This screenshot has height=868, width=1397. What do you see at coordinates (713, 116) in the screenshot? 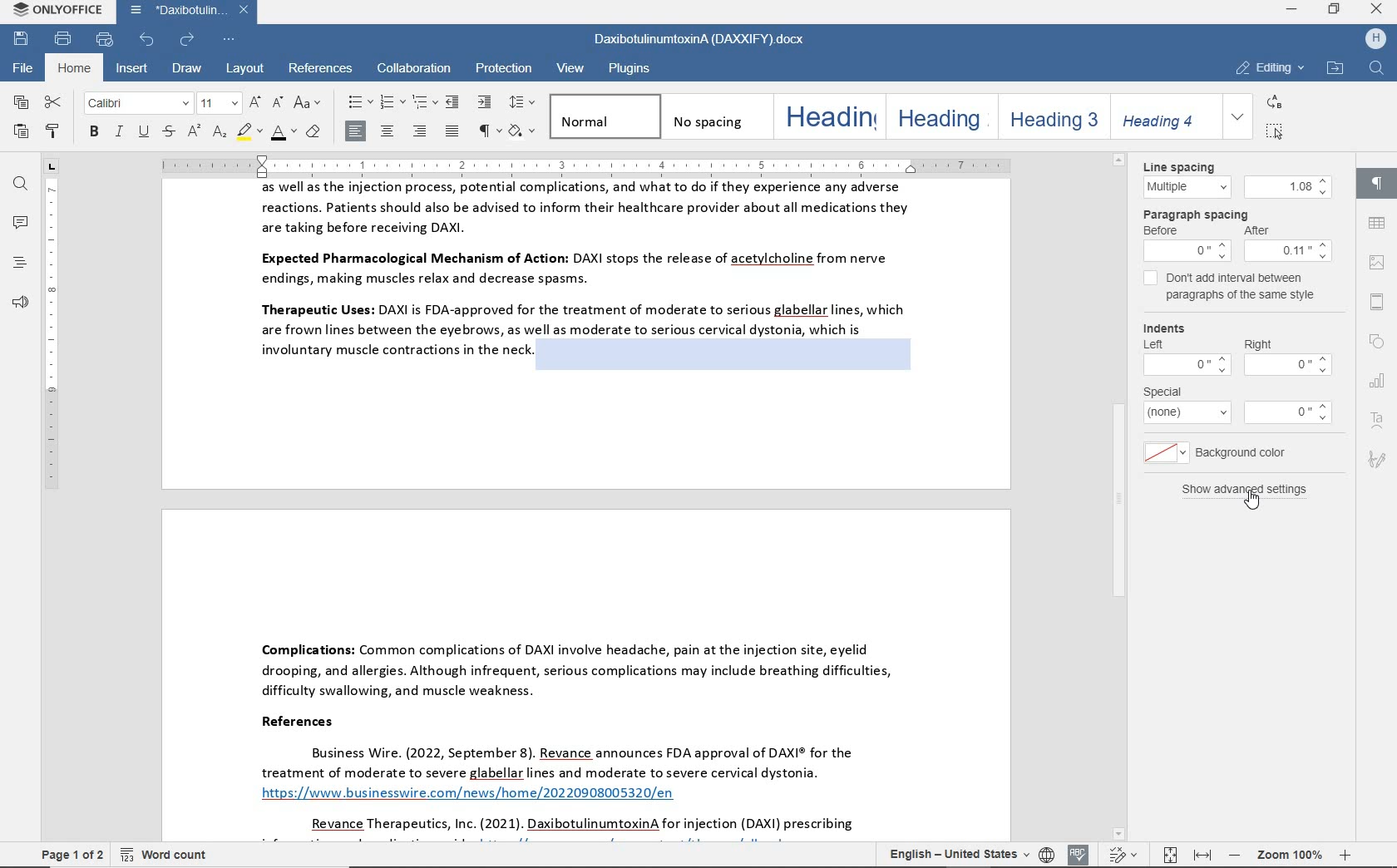
I see `no spacing` at bounding box center [713, 116].